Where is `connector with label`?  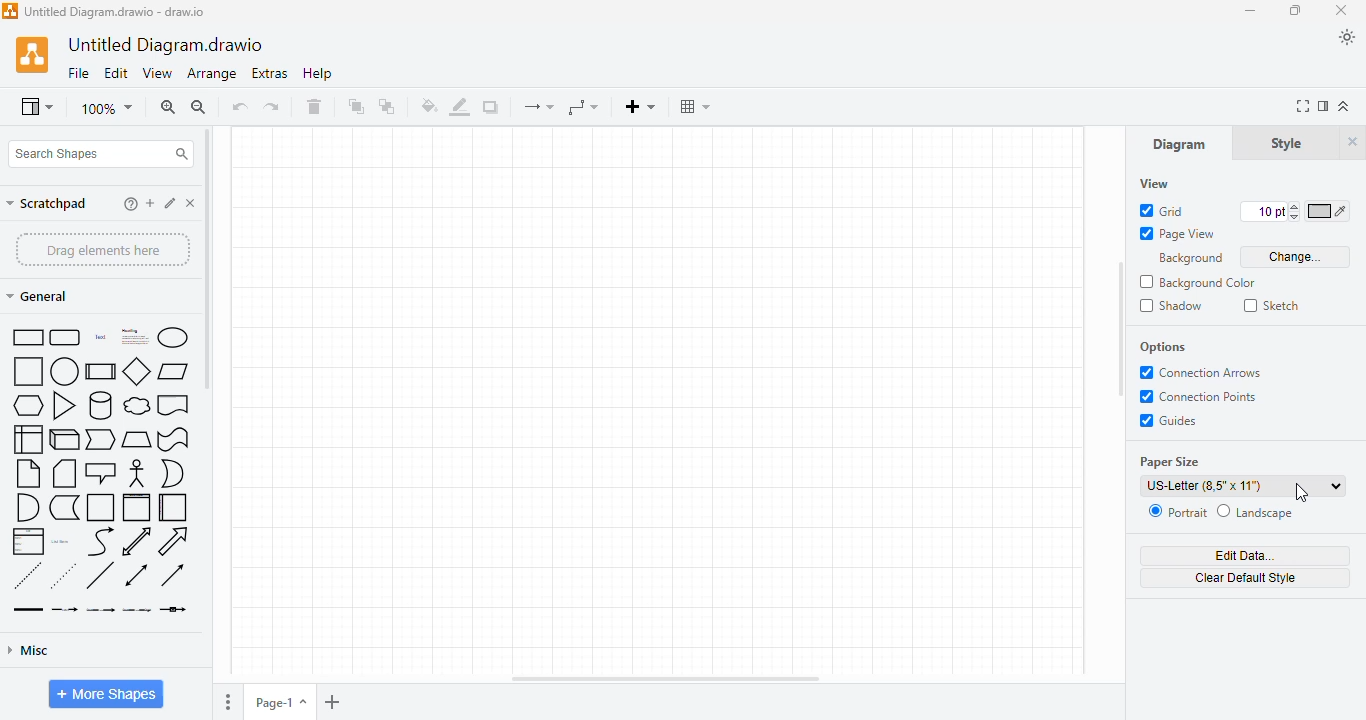 connector with label is located at coordinates (64, 610).